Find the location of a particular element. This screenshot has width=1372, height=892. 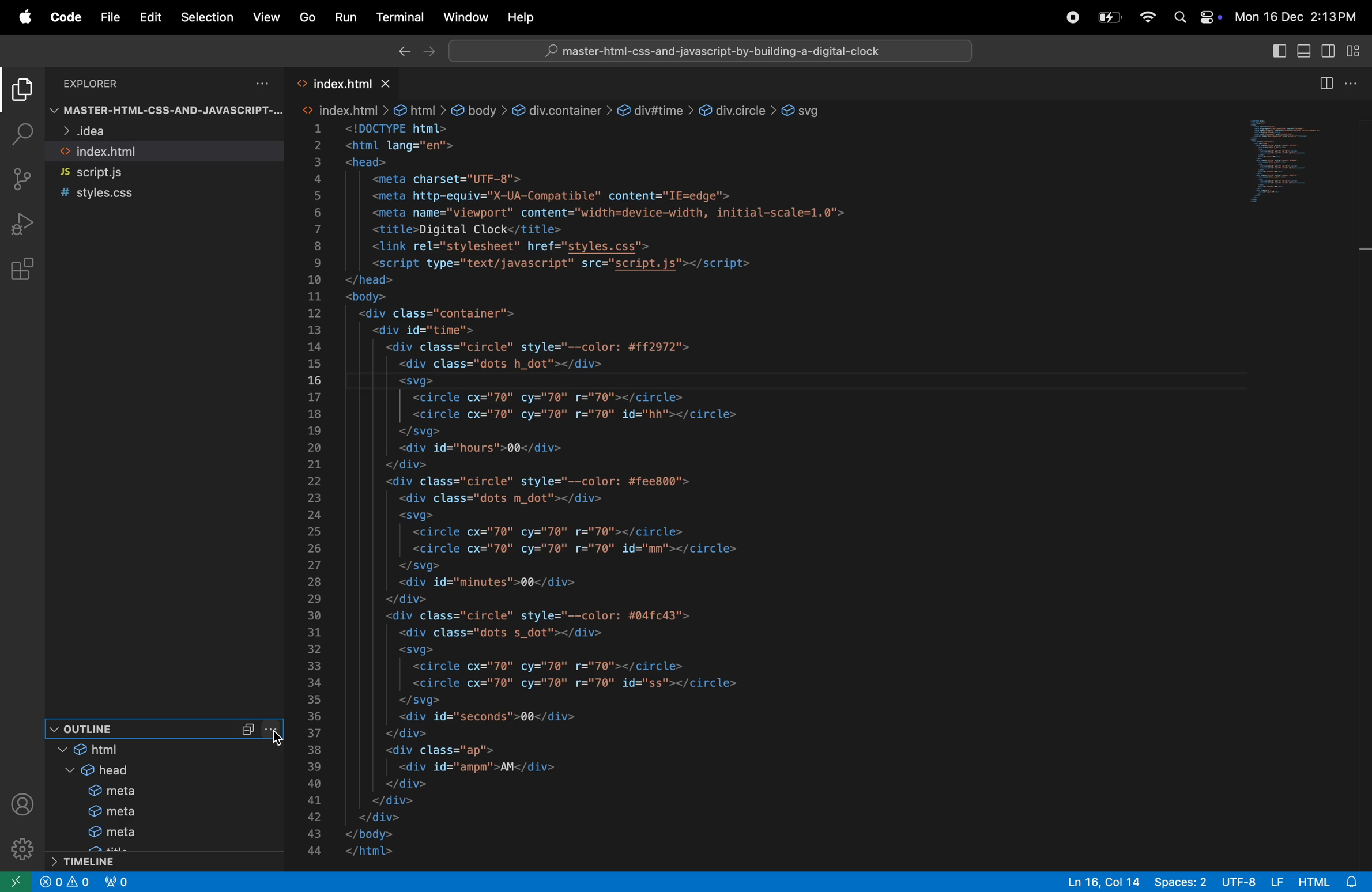

source control is located at coordinates (22, 179).